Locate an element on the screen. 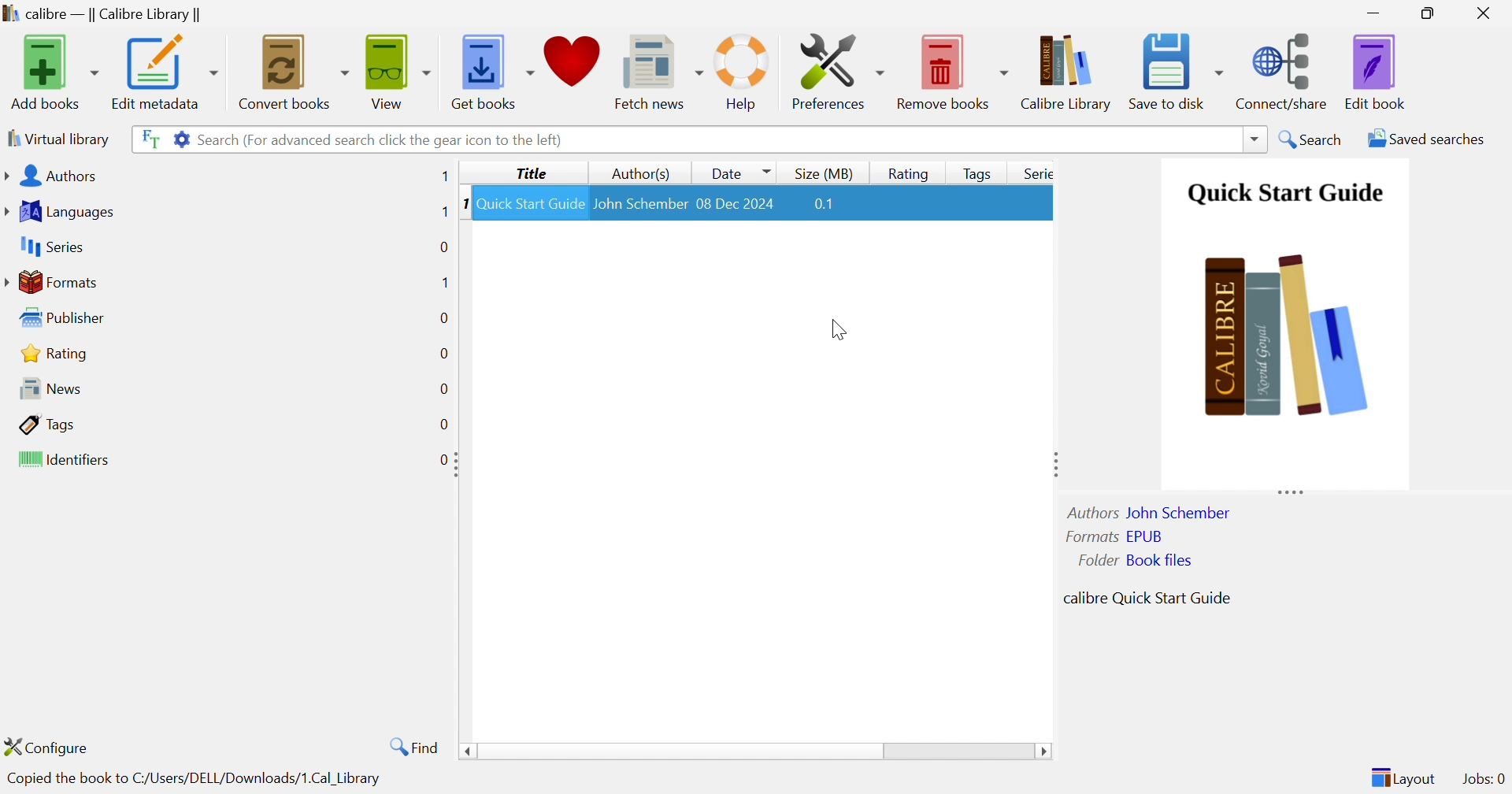  Help is located at coordinates (745, 72).